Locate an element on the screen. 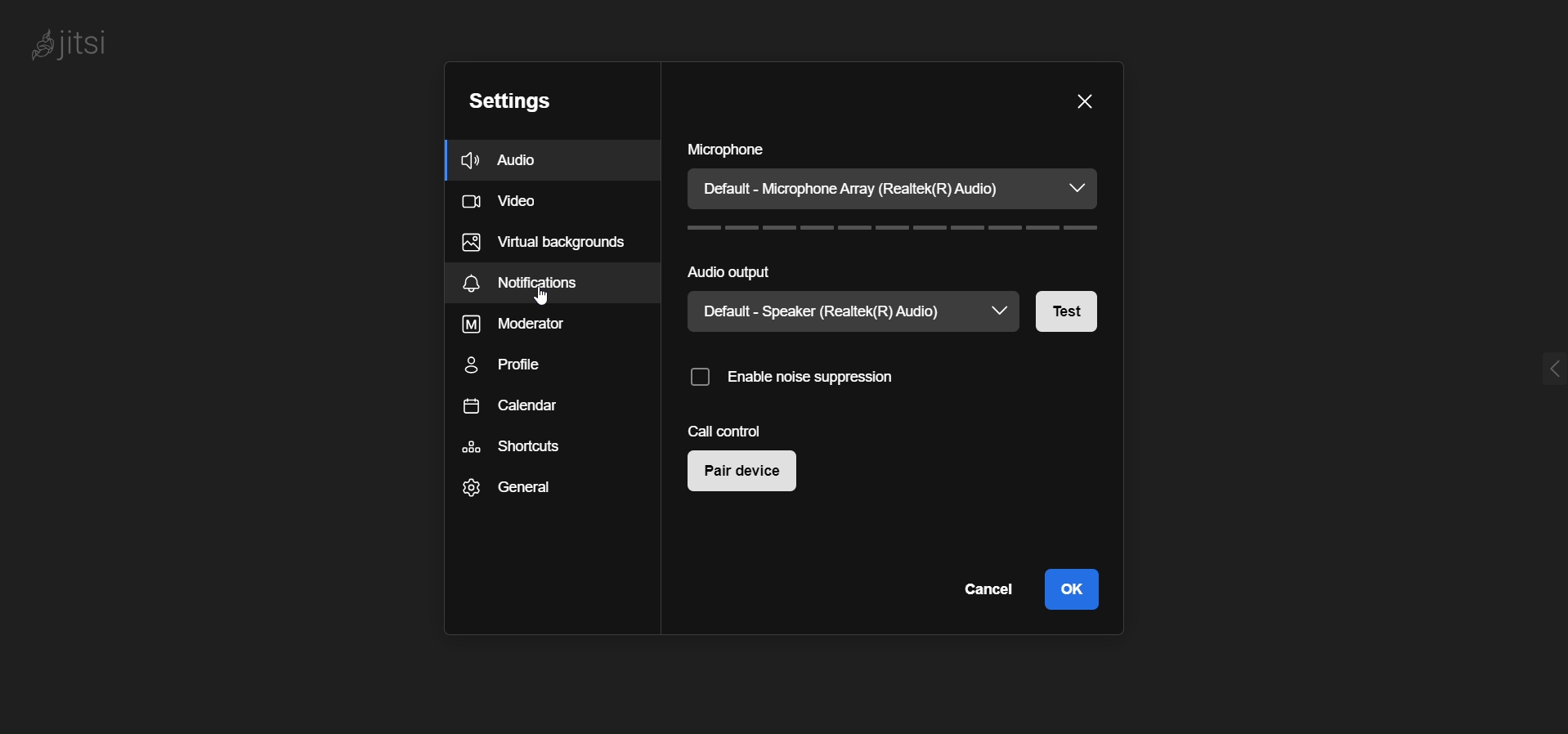 This screenshot has width=1568, height=734. shortcuts is located at coordinates (514, 448).